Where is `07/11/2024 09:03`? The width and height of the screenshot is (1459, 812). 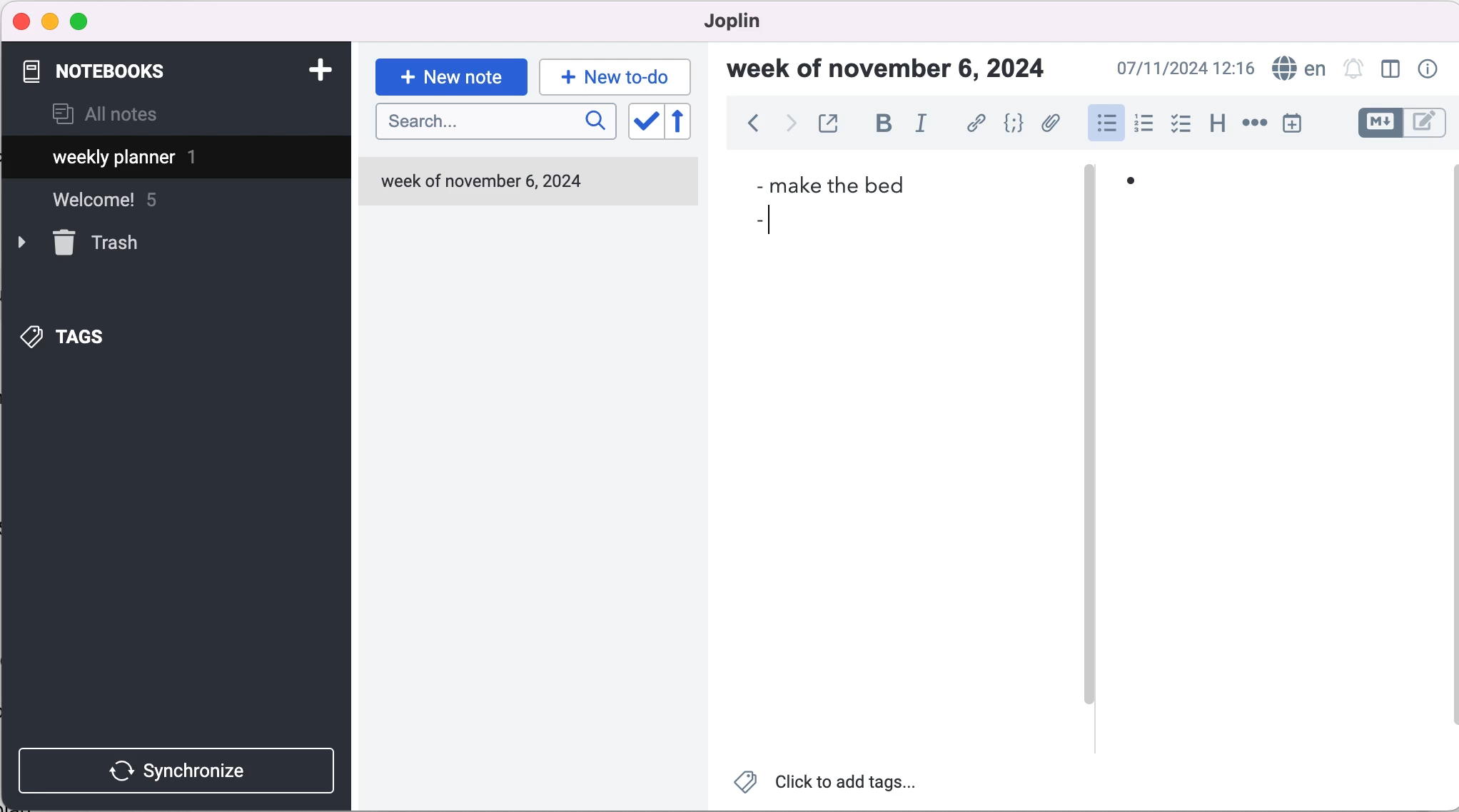 07/11/2024 09:03 is located at coordinates (1183, 68).